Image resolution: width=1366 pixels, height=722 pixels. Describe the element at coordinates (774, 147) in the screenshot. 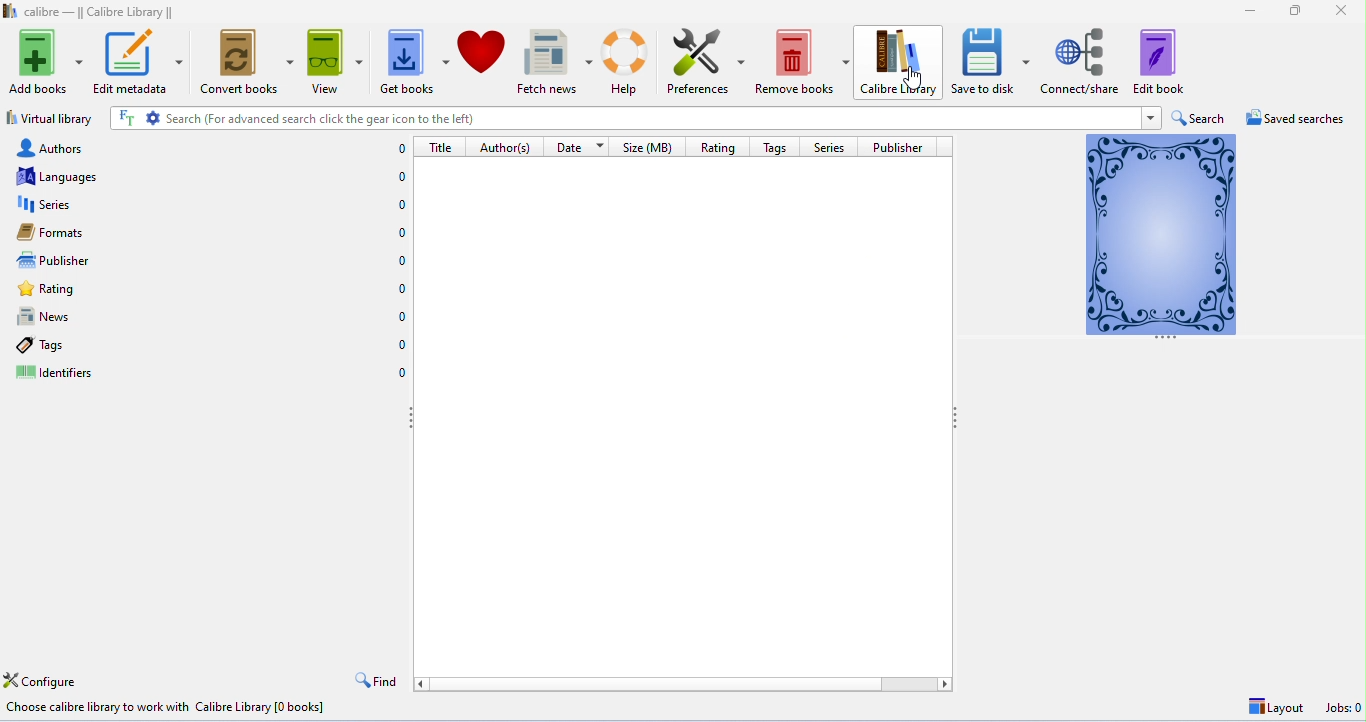

I see `tags` at that location.